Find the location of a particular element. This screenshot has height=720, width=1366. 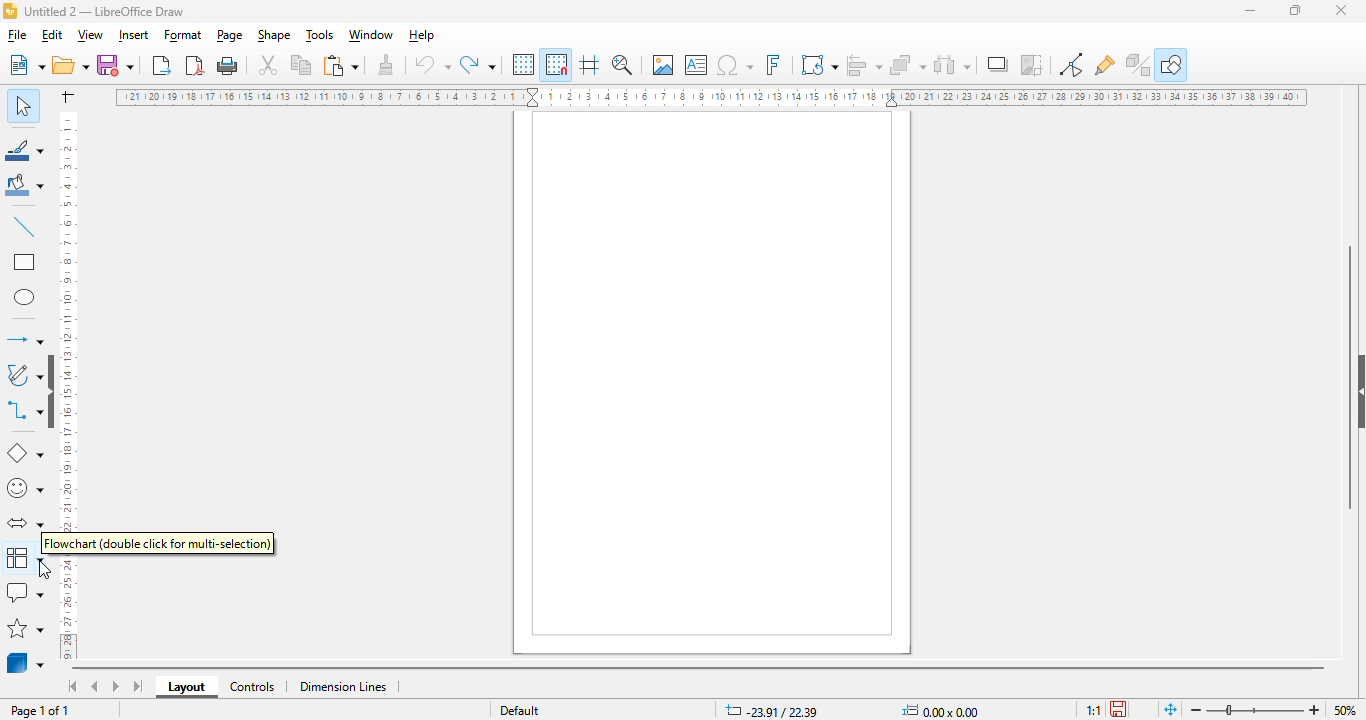

display grid is located at coordinates (522, 64).